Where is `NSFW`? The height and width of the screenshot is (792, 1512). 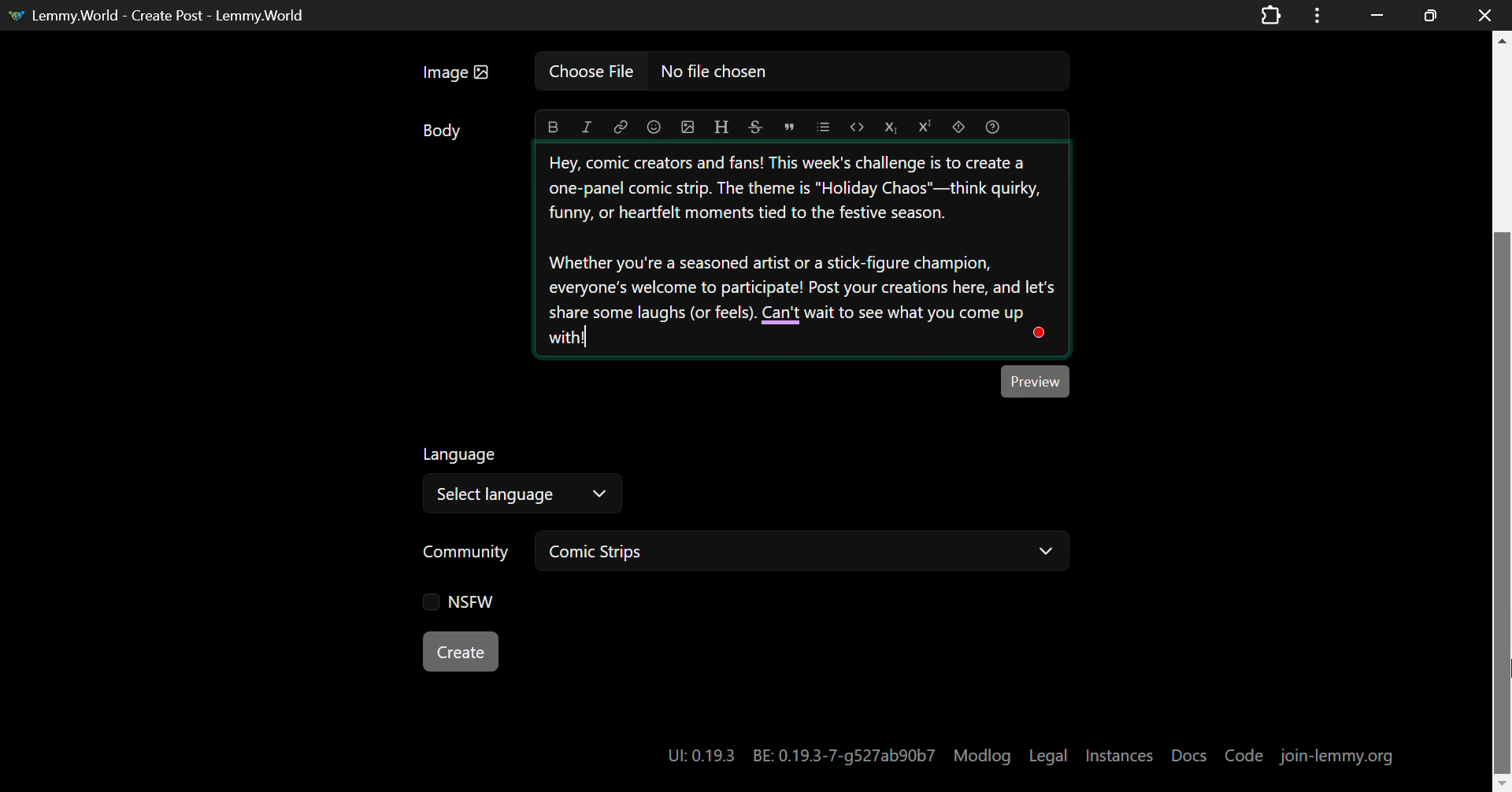
NSFW is located at coordinates (461, 605).